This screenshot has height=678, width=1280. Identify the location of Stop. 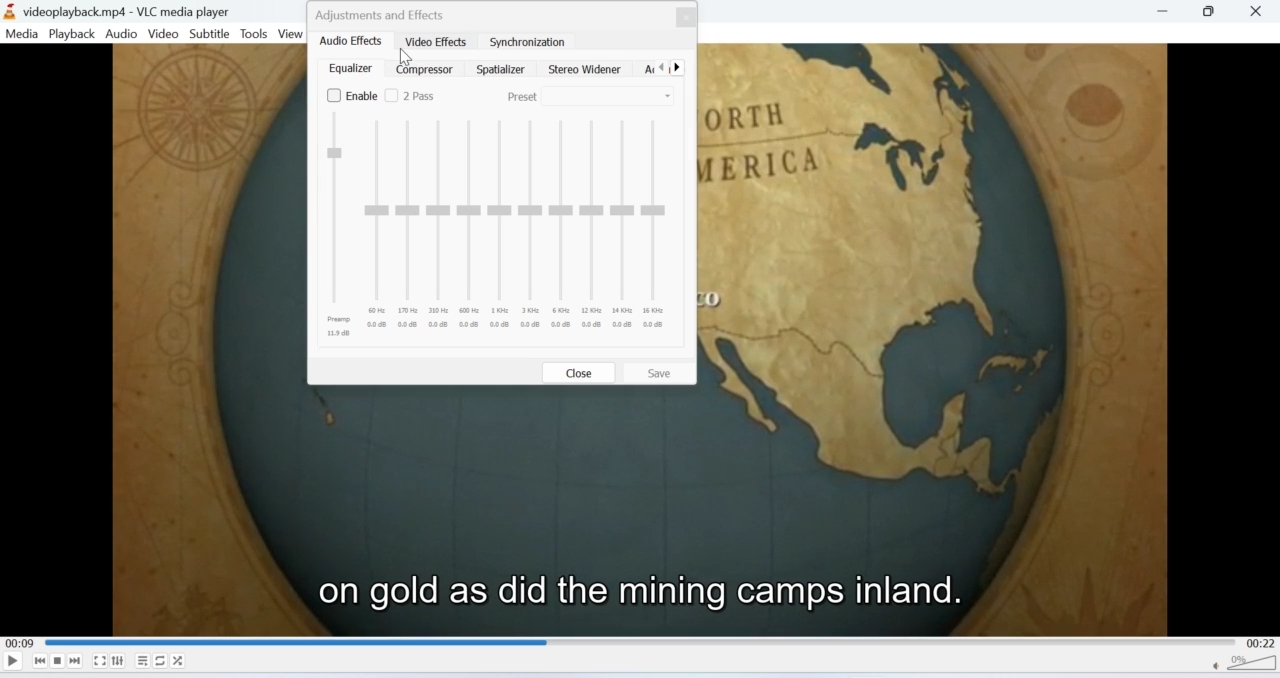
(58, 661).